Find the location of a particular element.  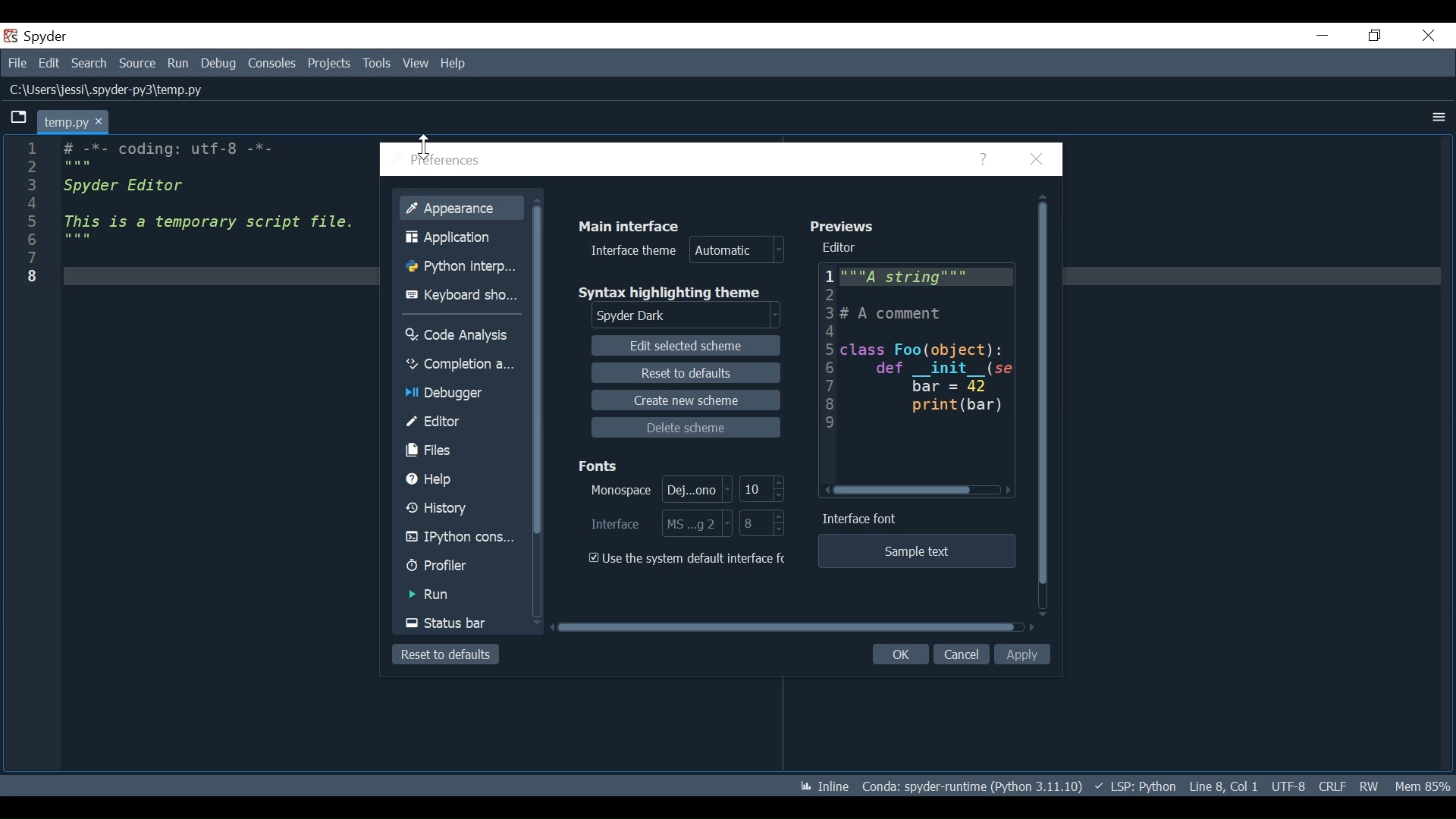

Run is located at coordinates (178, 65).